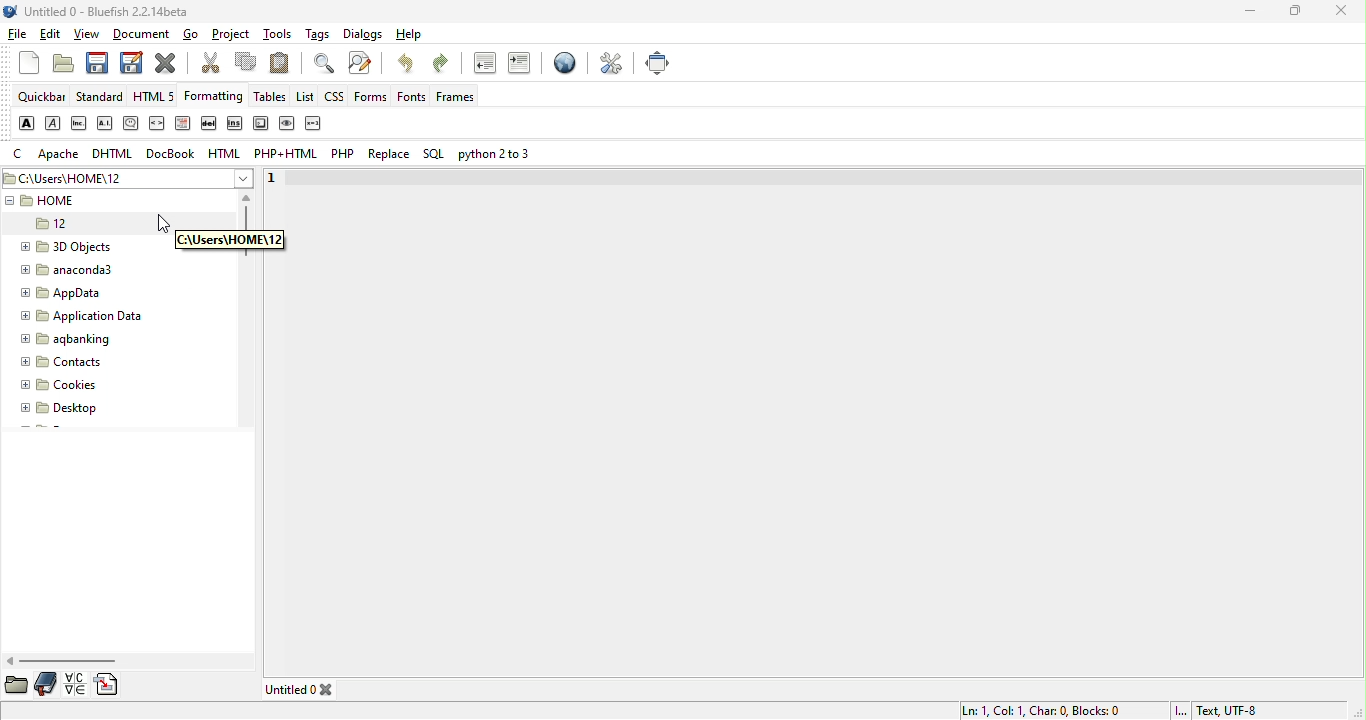 This screenshot has height=720, width=1366. Describe the element at coordinates (109, 686) in the screenshot. I see `snippets` at that location.